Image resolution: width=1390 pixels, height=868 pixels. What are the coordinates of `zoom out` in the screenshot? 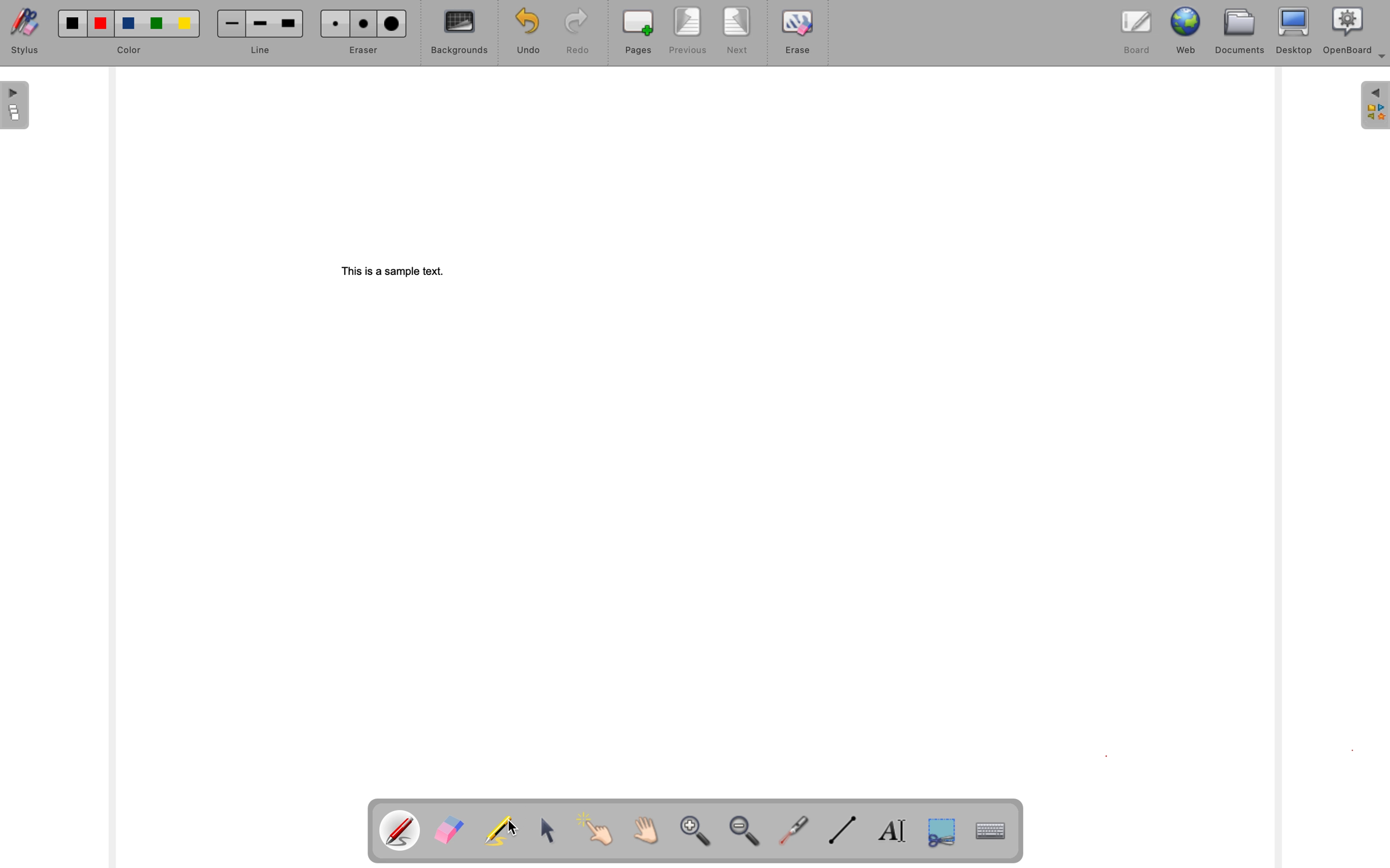 It's located at (747, 831).